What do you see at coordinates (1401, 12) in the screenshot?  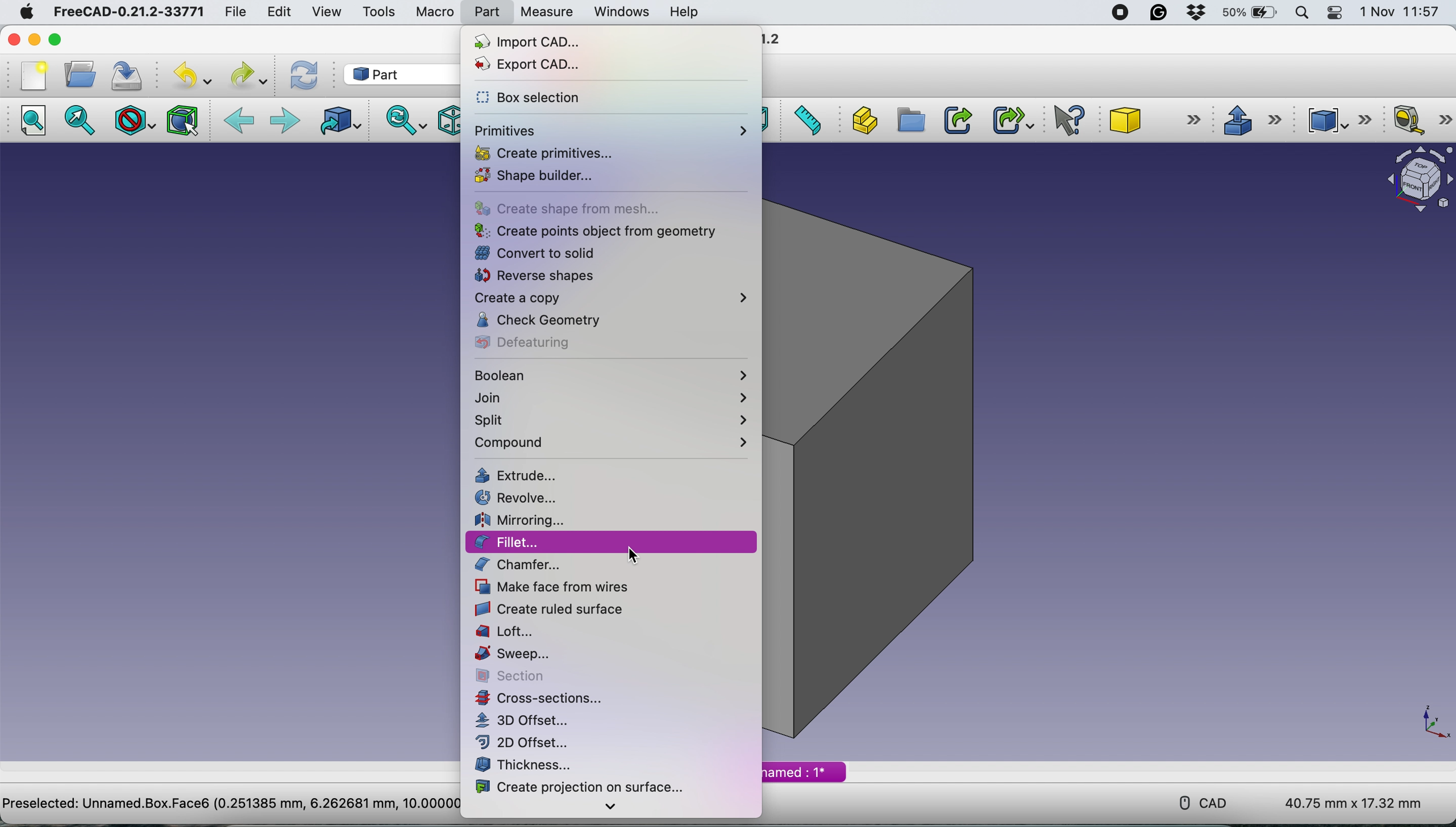 I see `date and time` at bounding box center [1401, 12].